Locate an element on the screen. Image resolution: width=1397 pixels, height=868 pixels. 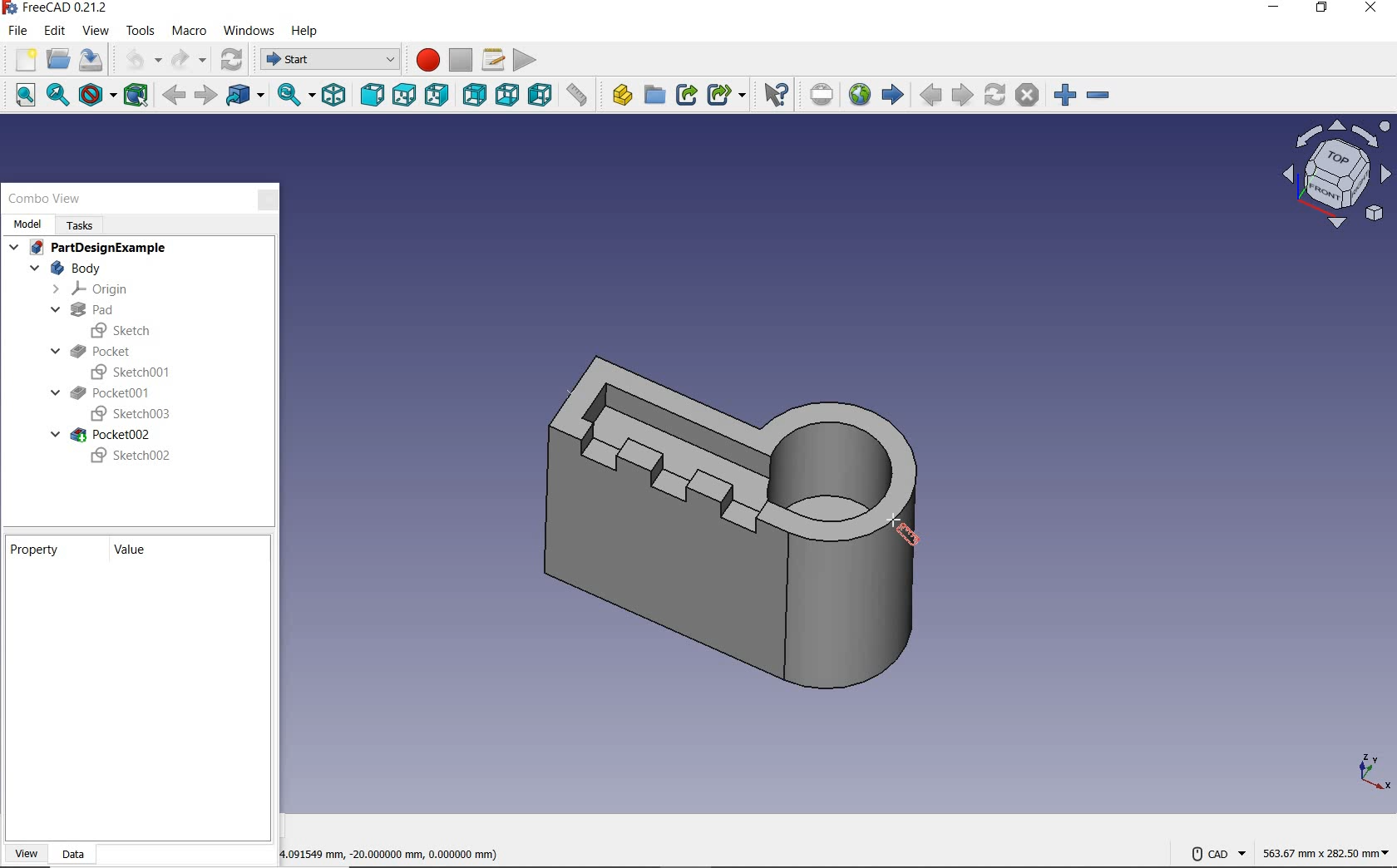
4.091549 mm,-20.000000 mm, 0.000000 mm)(dimensions) is located at coordinates (412, 852).